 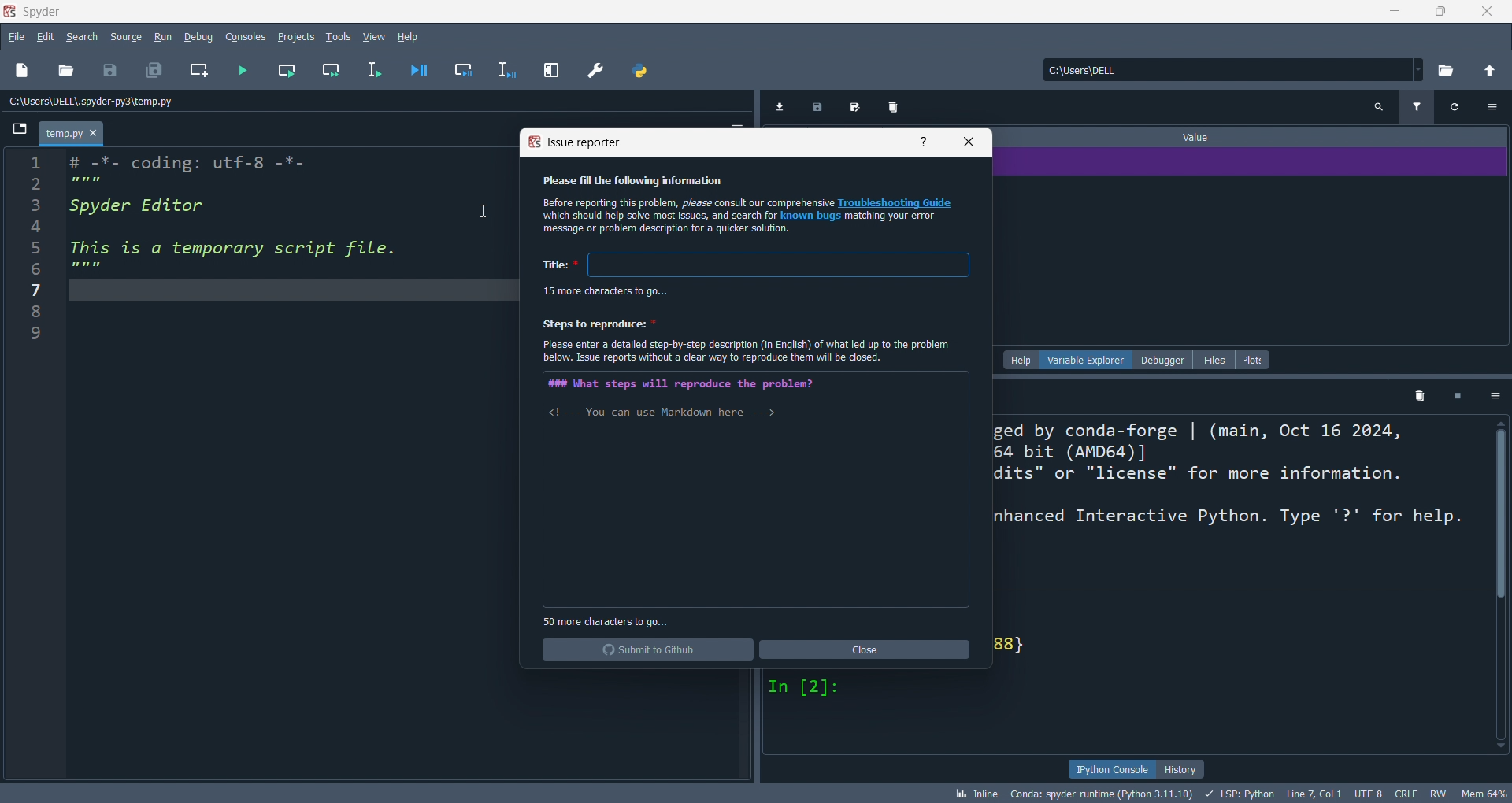 I want to click on Vertical scroll bar, so click(x=1502, y=583).